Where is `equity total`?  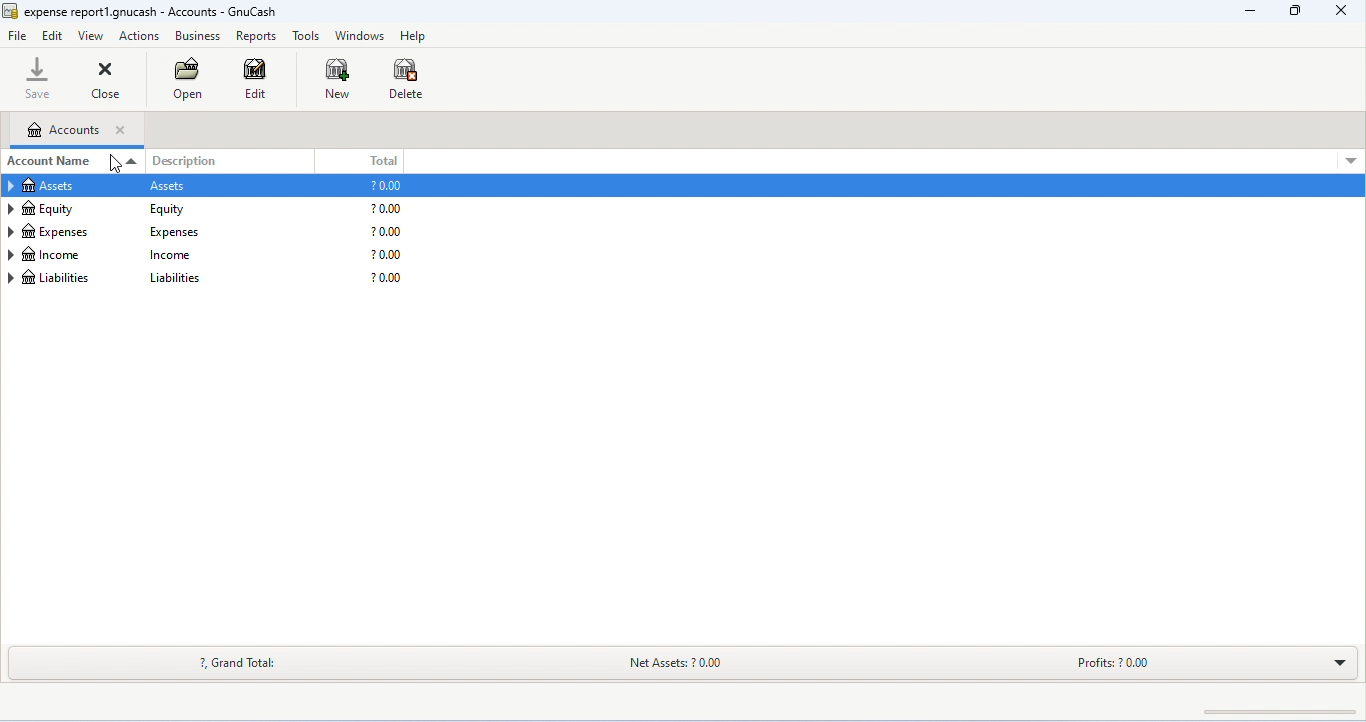 equity total is located at coordinates (389, 210).